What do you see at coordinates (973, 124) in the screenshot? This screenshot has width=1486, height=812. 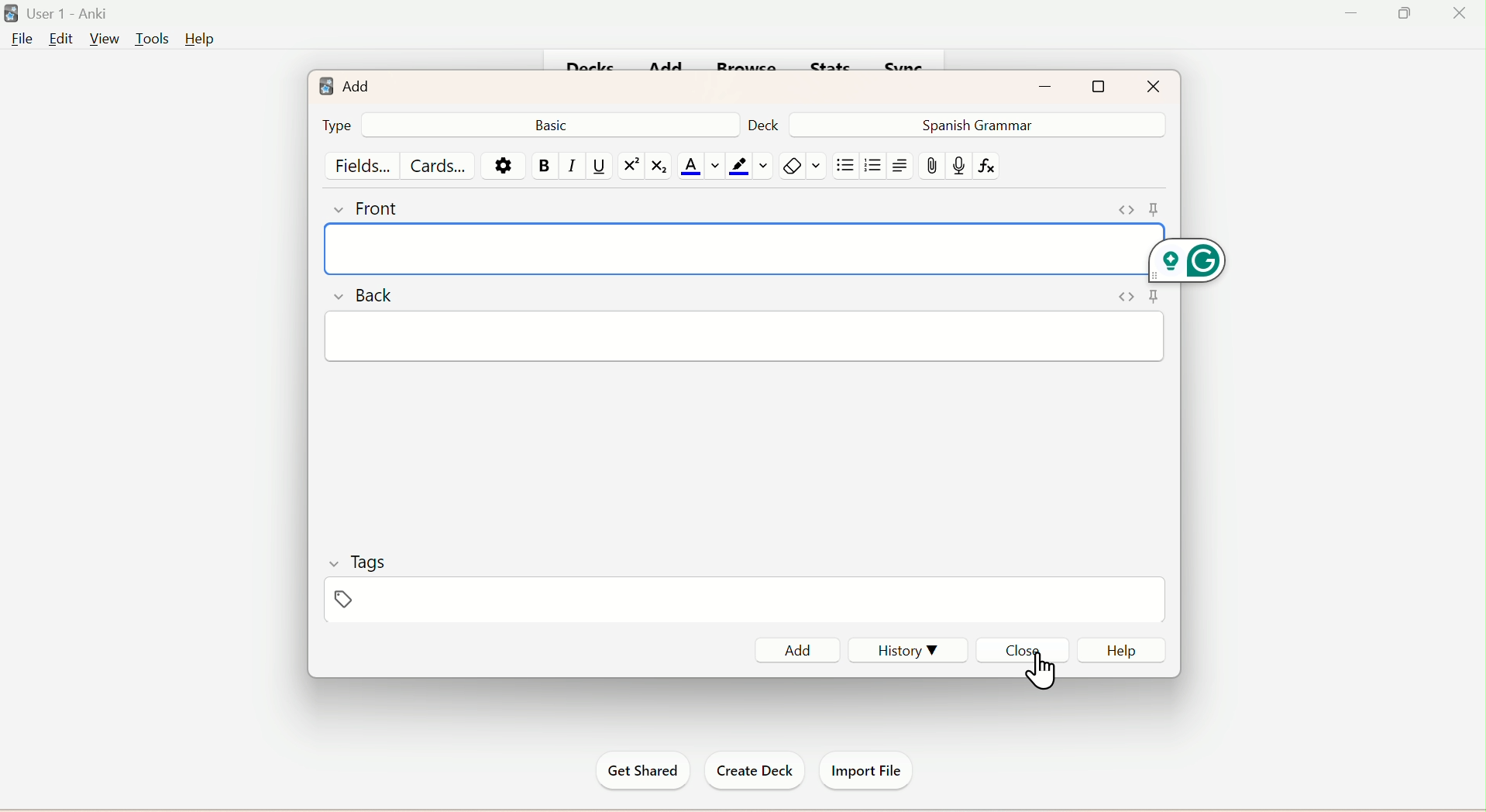 I see `Spanish Grammar` at bounding box center [973, 124].